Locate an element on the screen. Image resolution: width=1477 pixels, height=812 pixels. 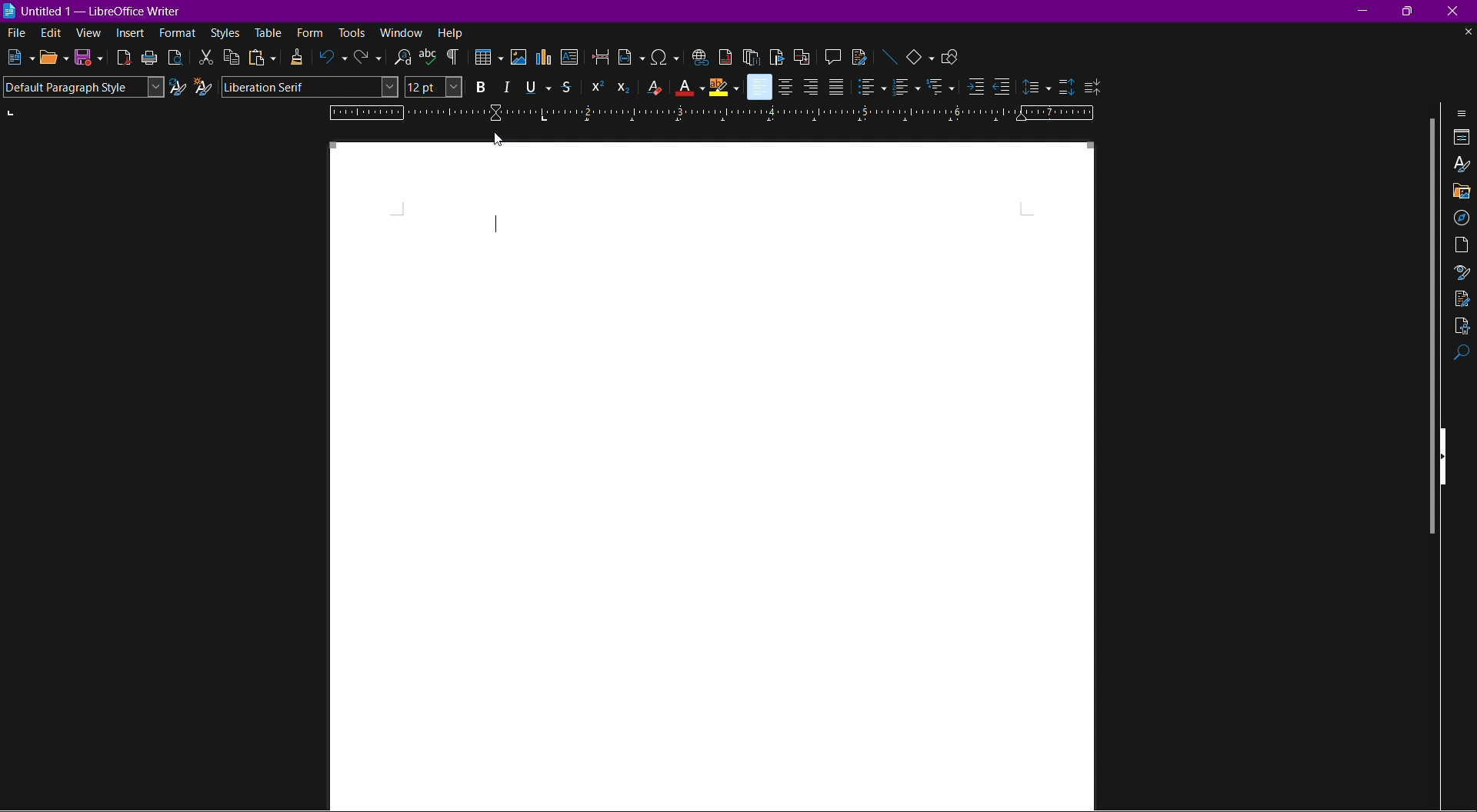
Insert special character is located at coordinates (665, 56).